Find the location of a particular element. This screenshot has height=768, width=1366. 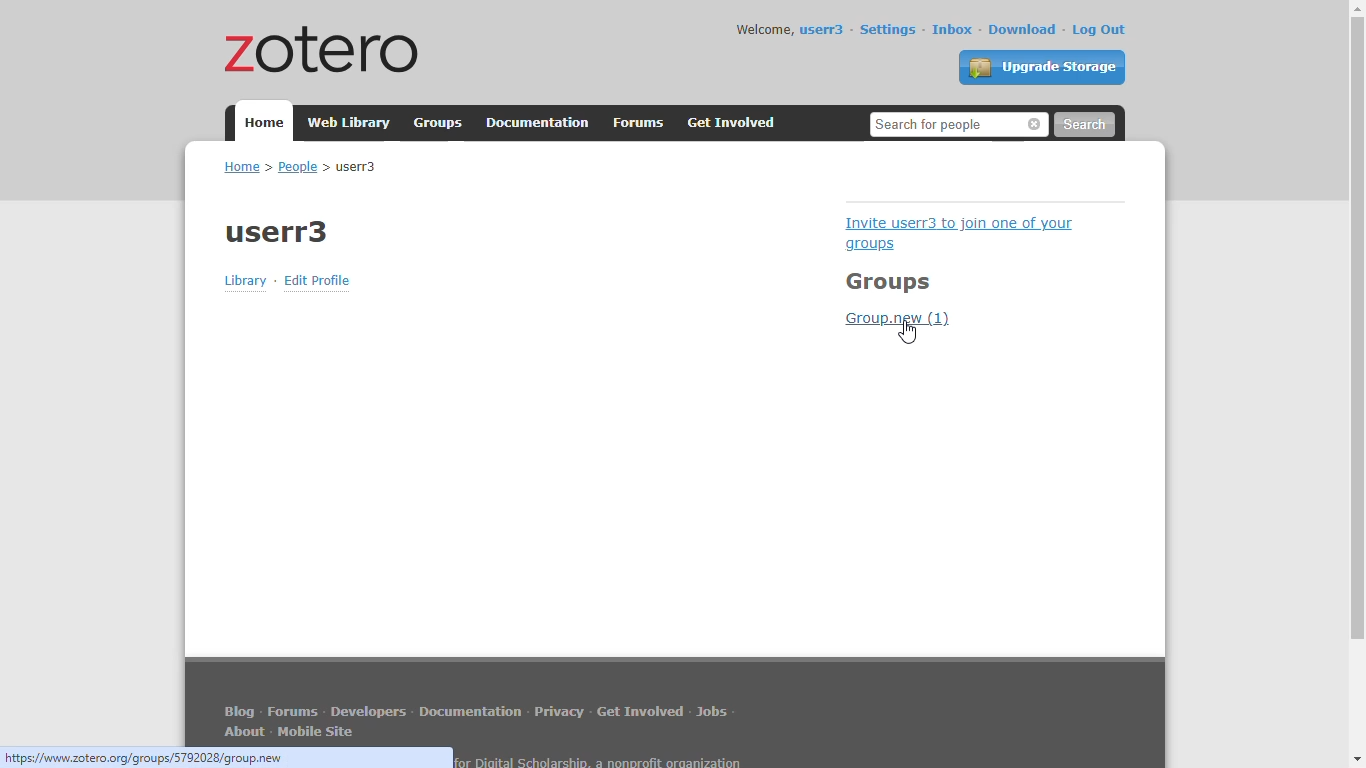

jobs is located at coordinates (712, 711).